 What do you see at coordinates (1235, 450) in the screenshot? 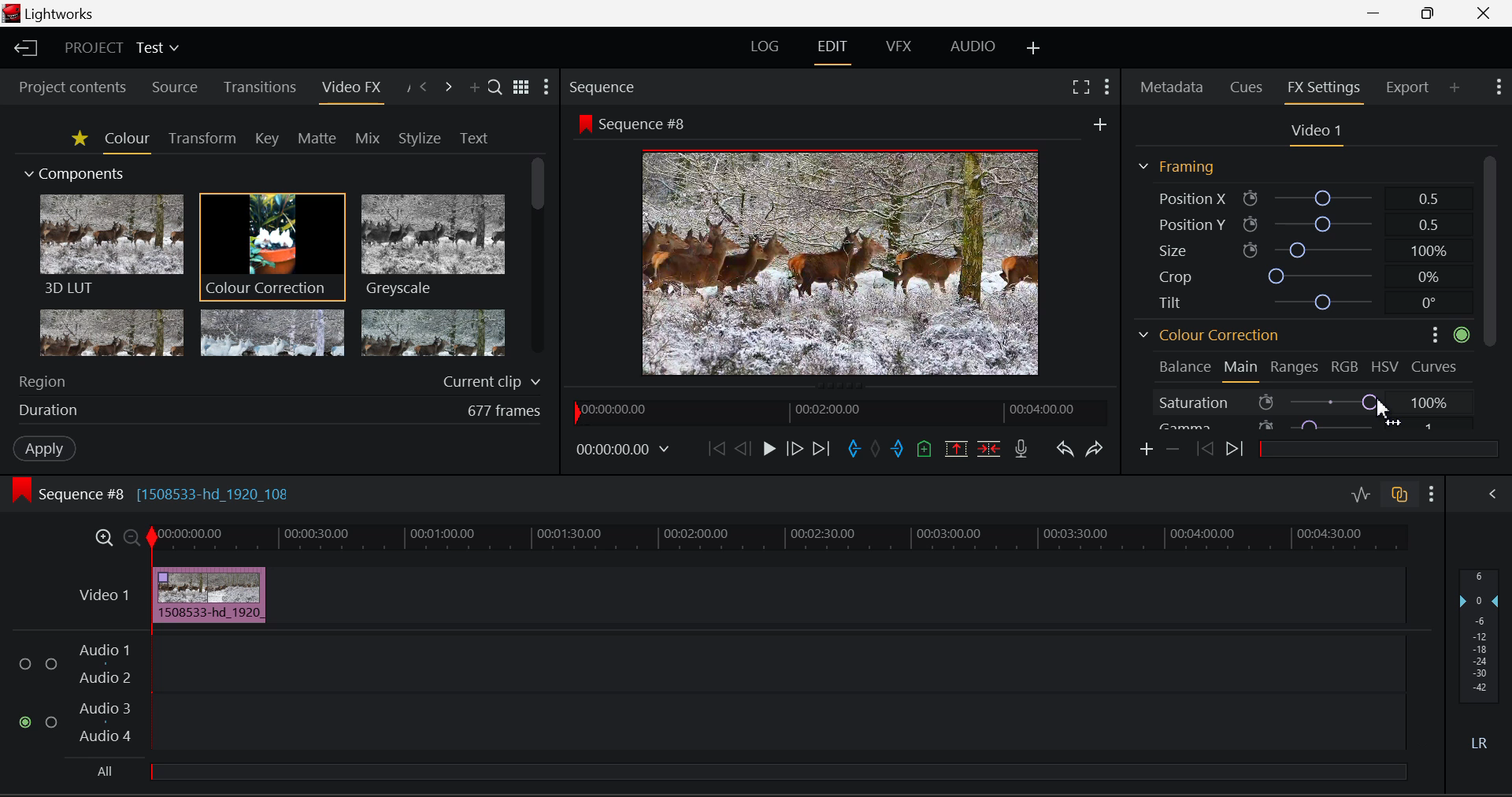
I see `Next keyframe` at bounding box center [1235, 450].